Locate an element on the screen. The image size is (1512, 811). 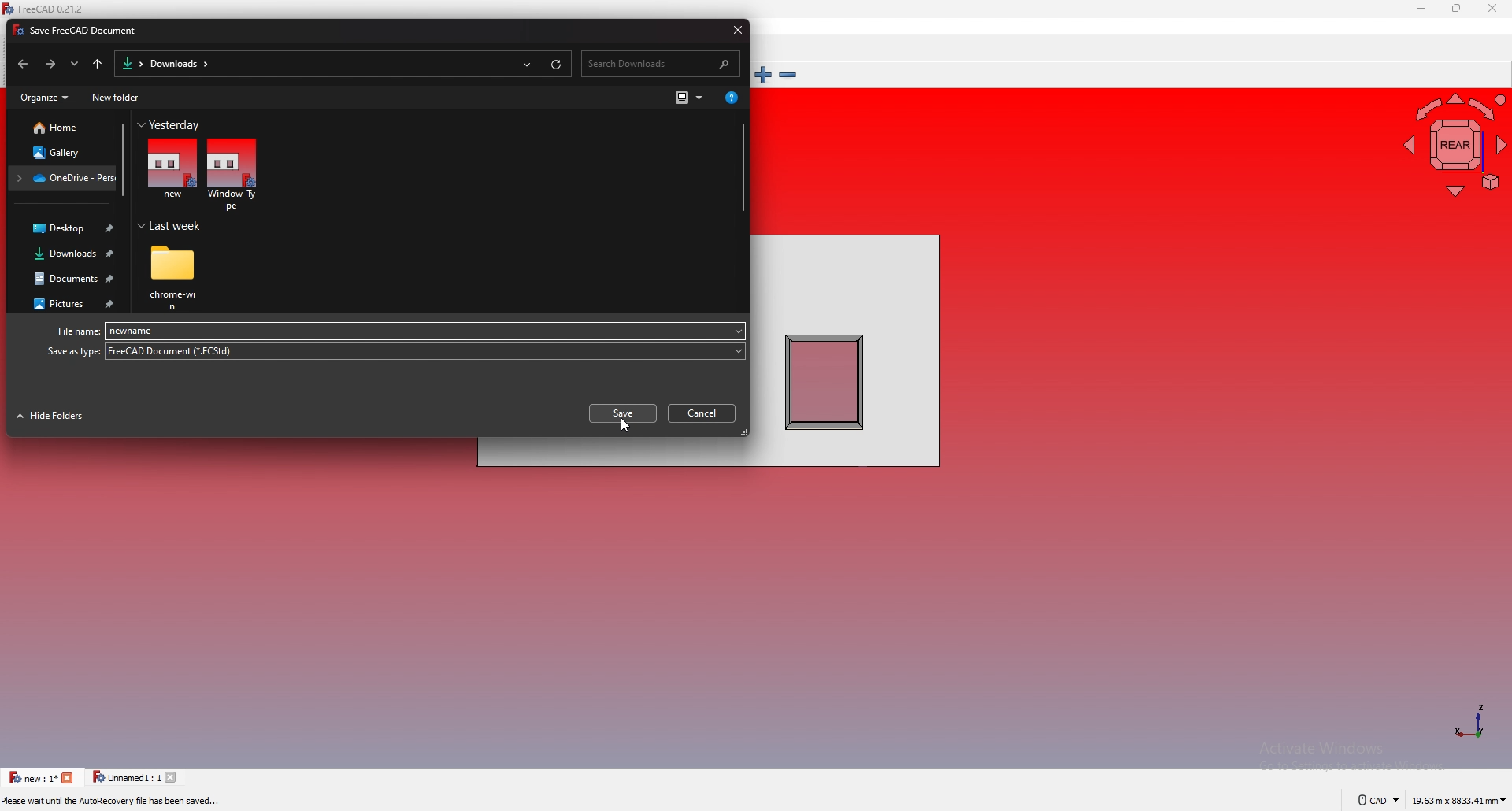
folder is located at coordinates (128, 64).